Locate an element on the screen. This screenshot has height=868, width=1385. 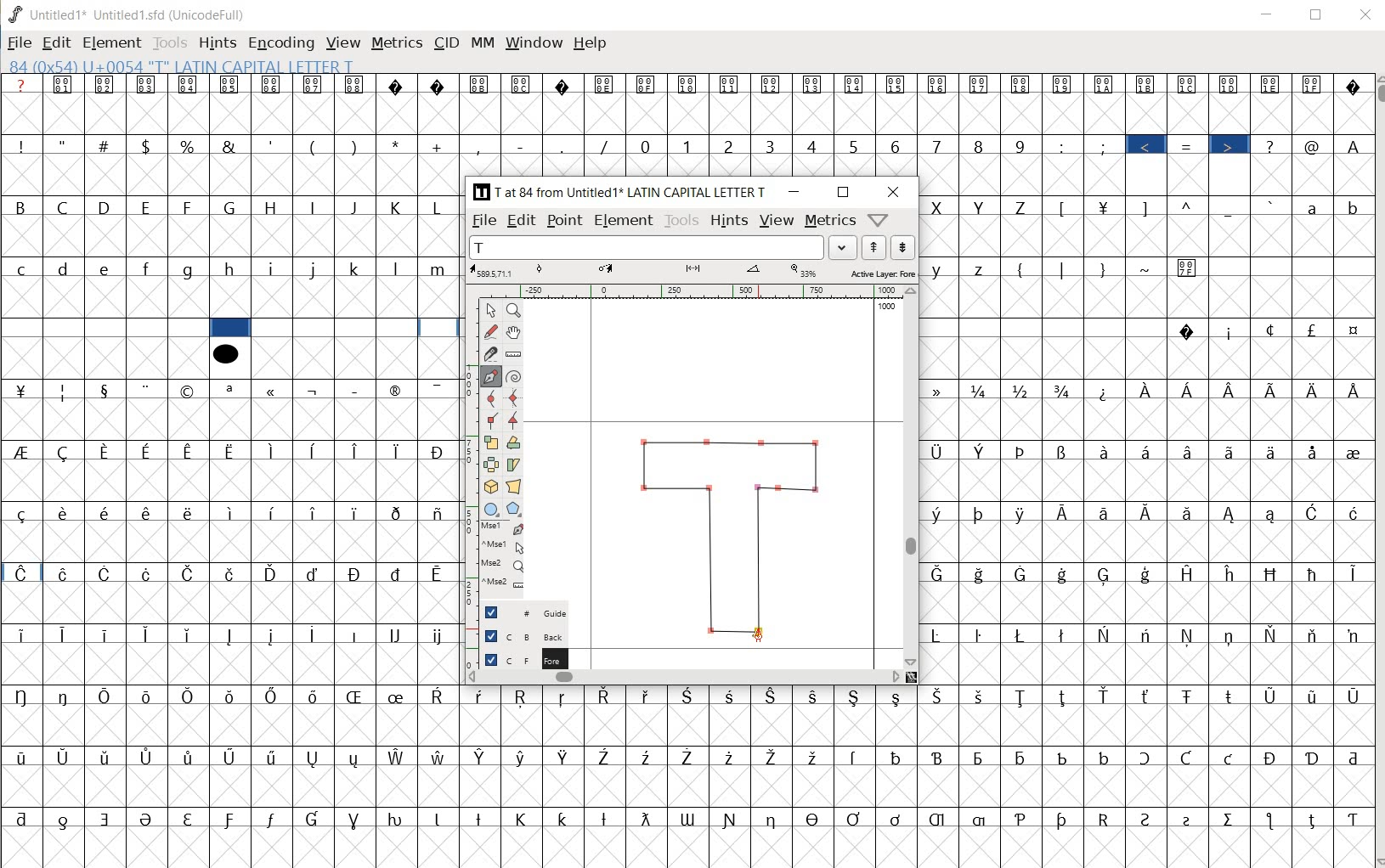
Symbol is located at coordinates (811, 695).